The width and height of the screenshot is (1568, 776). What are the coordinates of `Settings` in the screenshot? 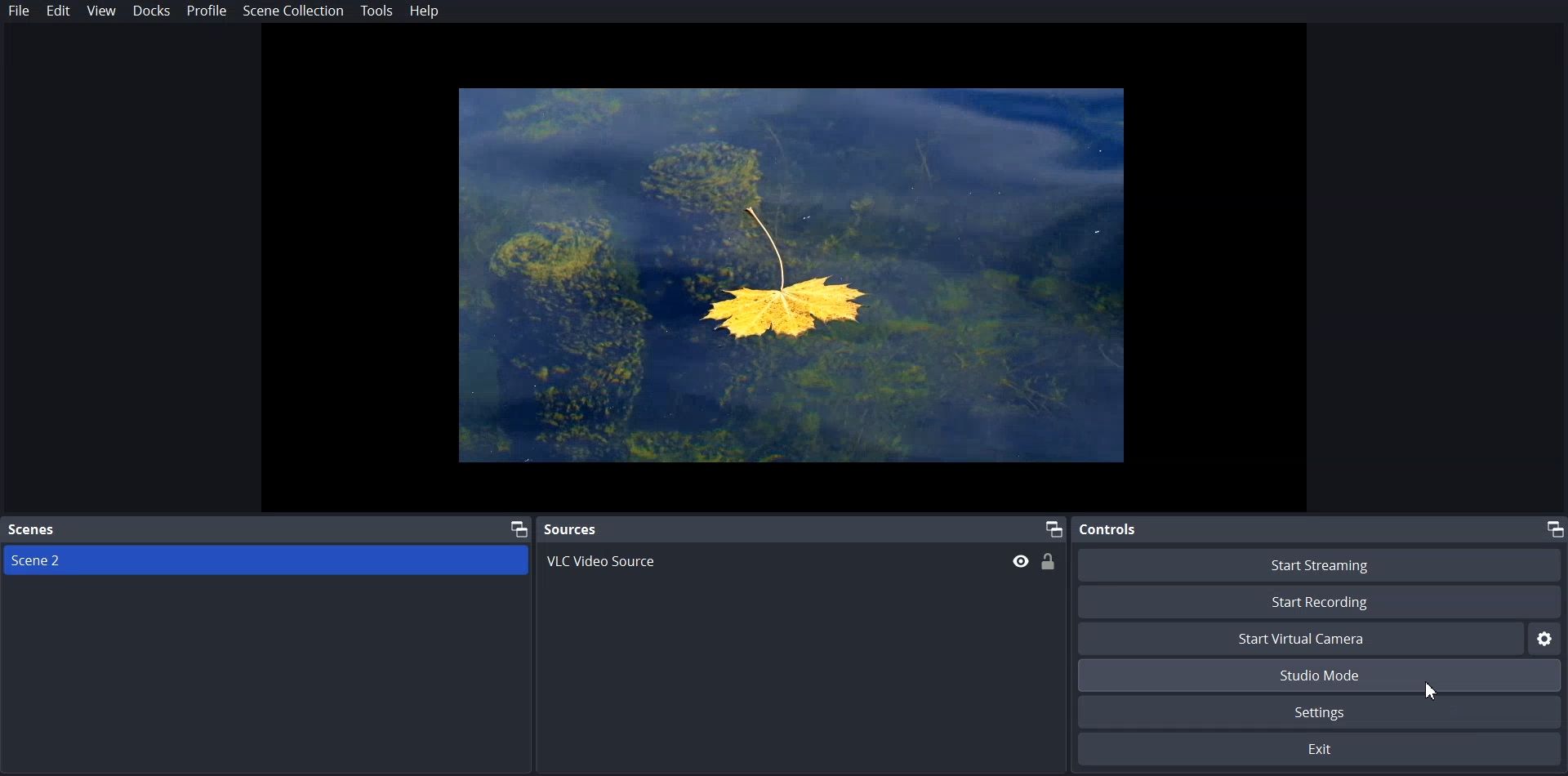 It's located at (1322, 713).